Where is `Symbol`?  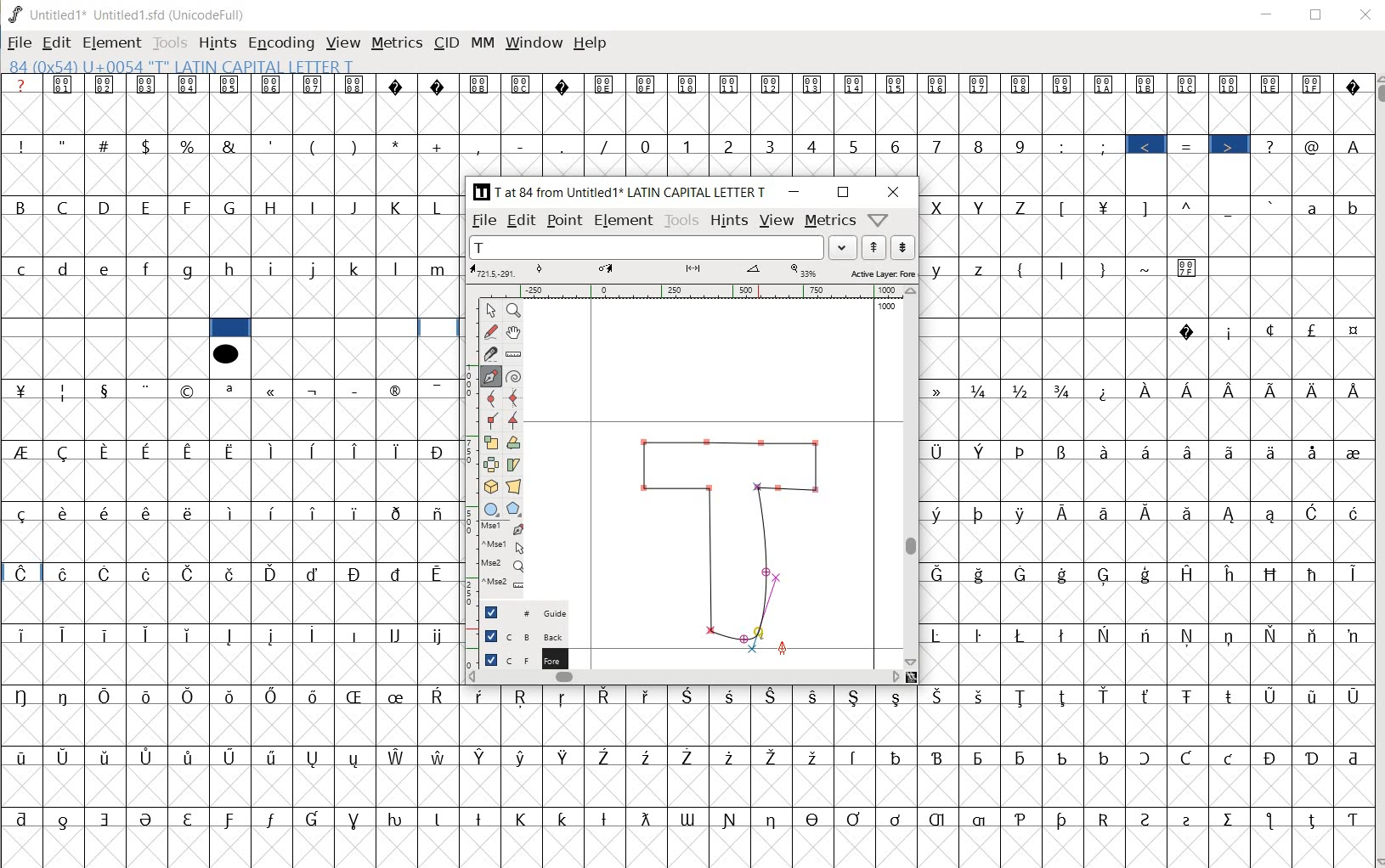 Symbol is located at coordinates (315, 84).